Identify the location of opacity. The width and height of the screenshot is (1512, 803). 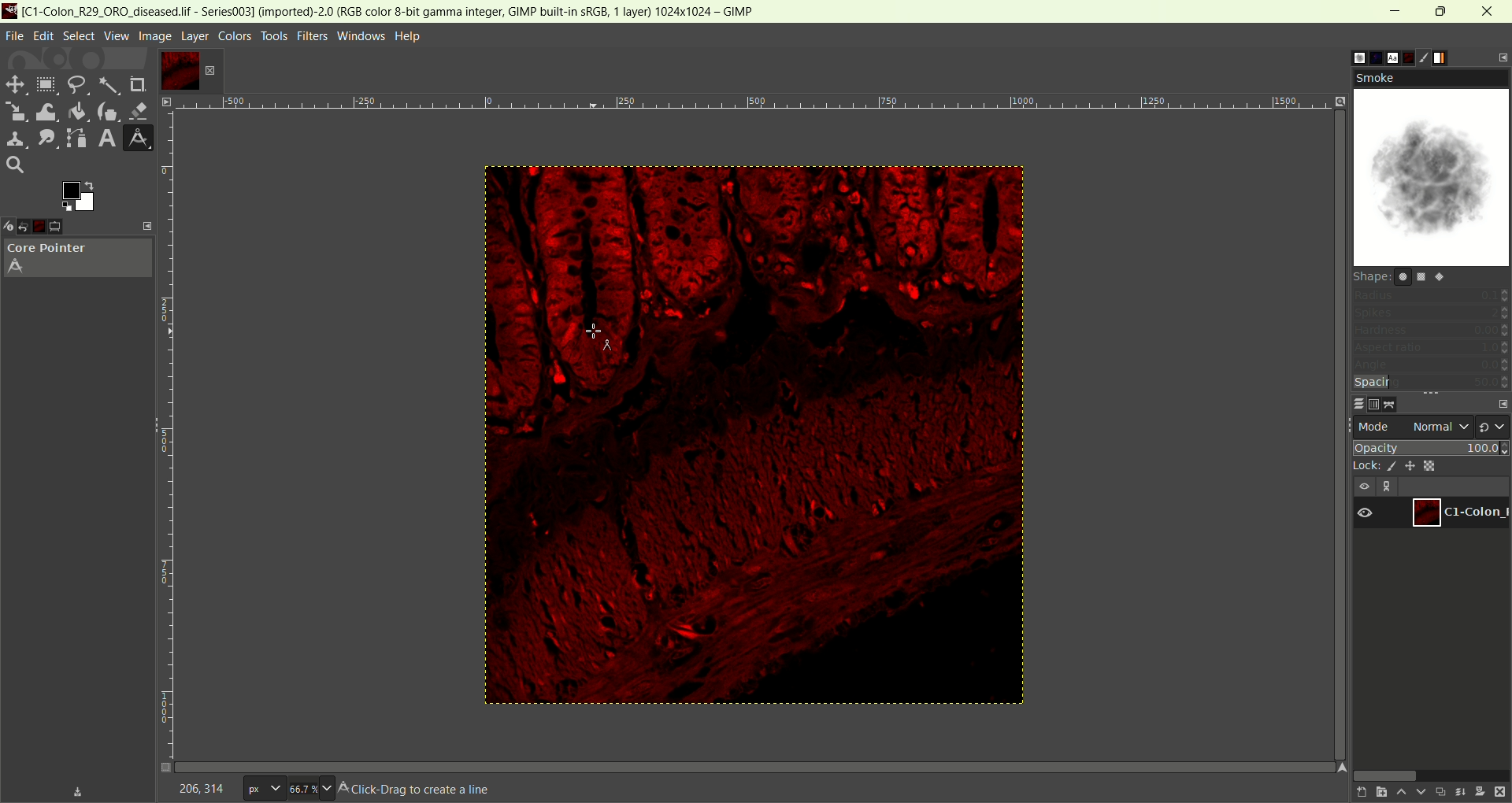
(1432, 446).